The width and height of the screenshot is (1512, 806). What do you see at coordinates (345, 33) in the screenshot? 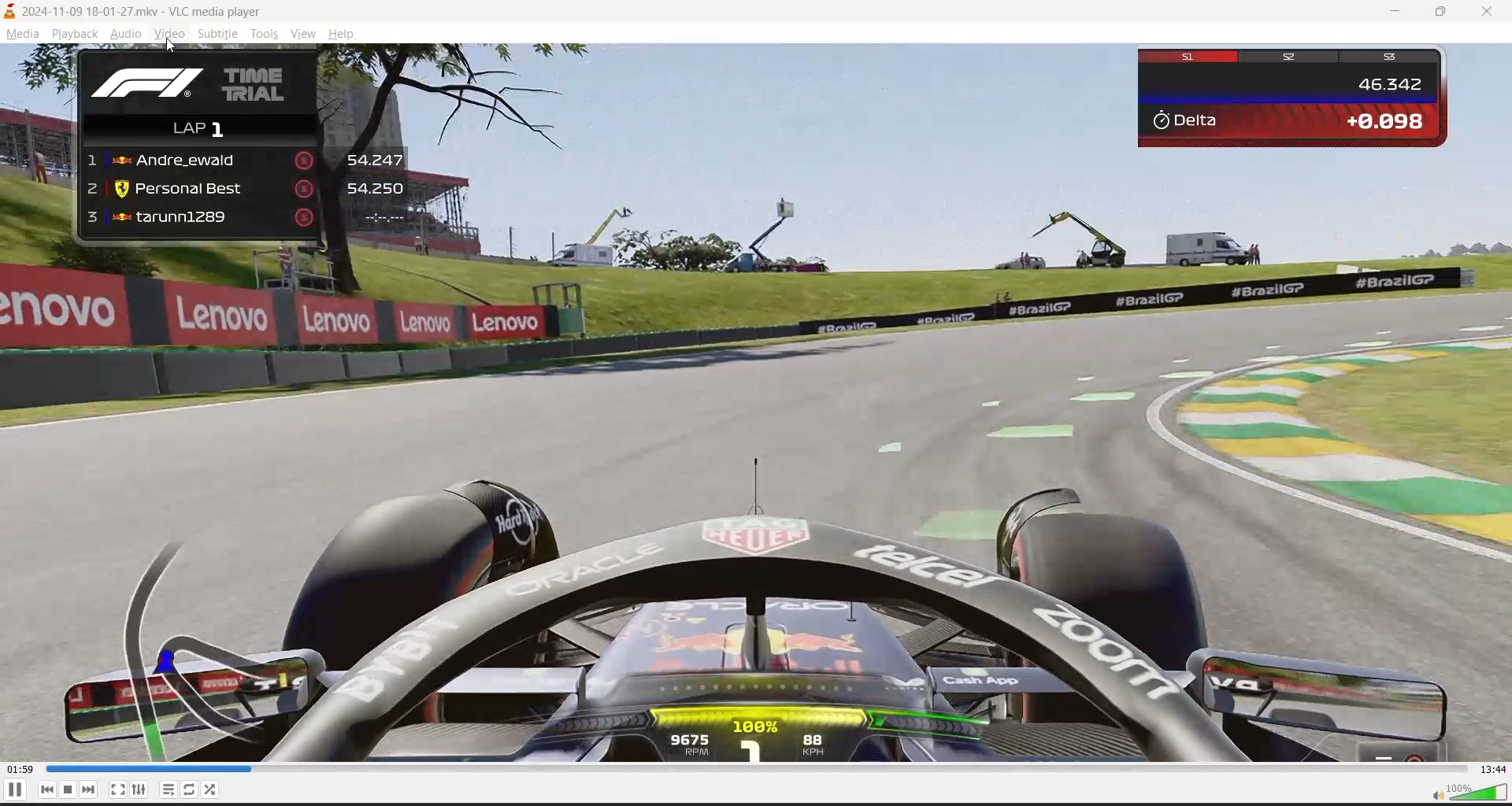
I see `help` at bounding box center [345, 33].